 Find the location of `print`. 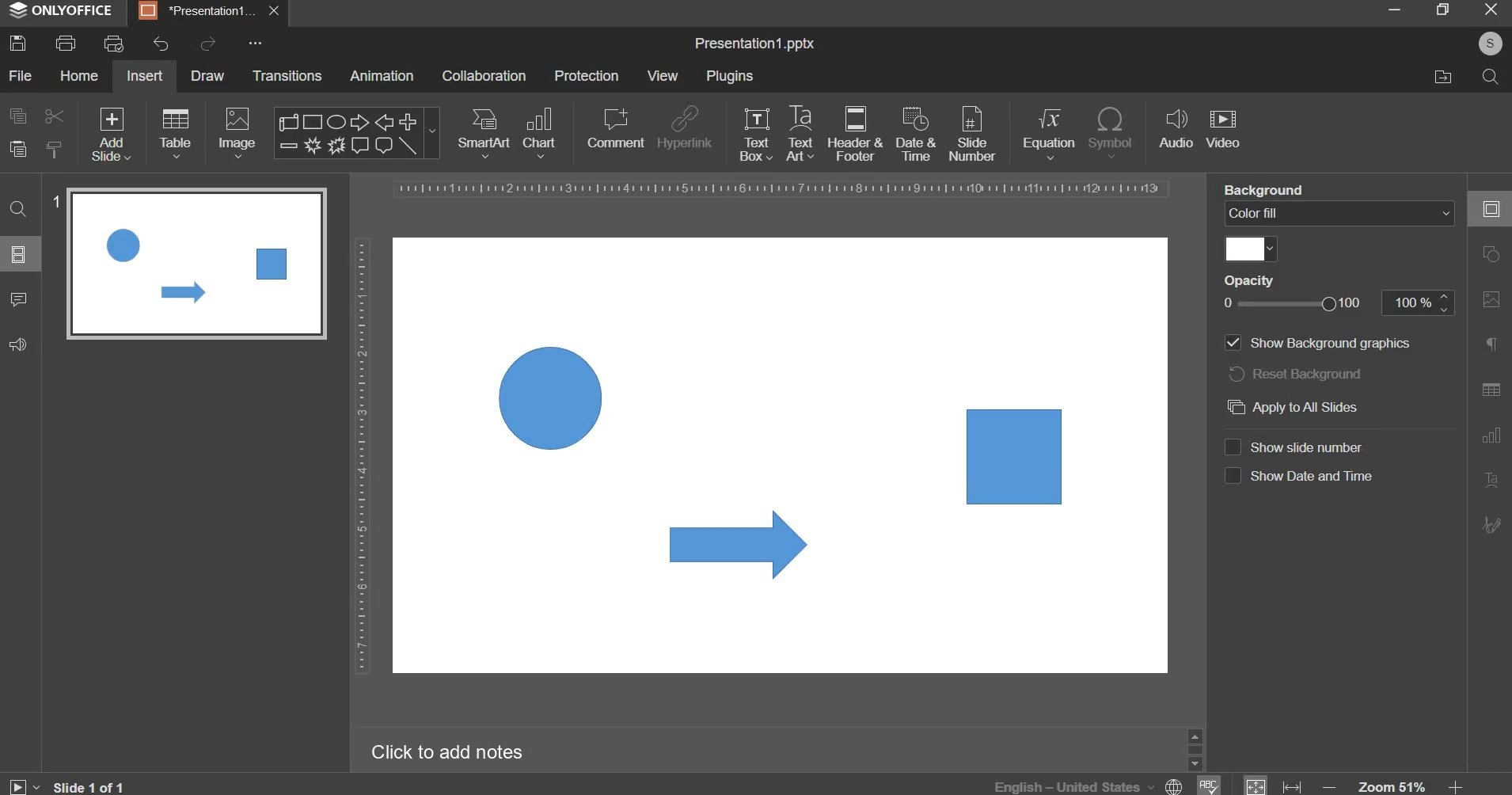

print is located at coordinates (66, 44).